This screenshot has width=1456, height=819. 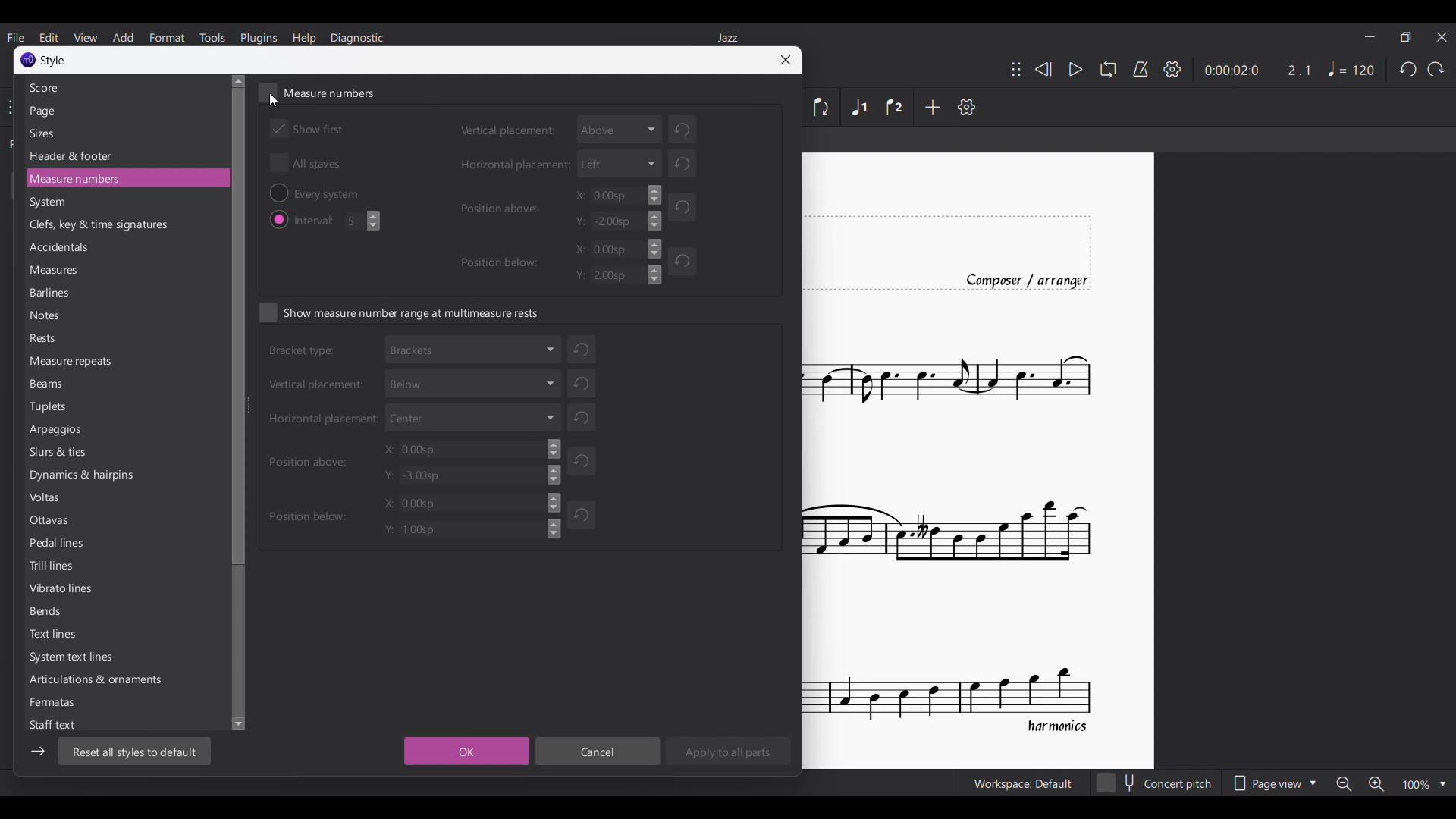 What do you see at coordinates (49, 613) in the screenshot?
I see `Bends` at bounding box center [49, 613].